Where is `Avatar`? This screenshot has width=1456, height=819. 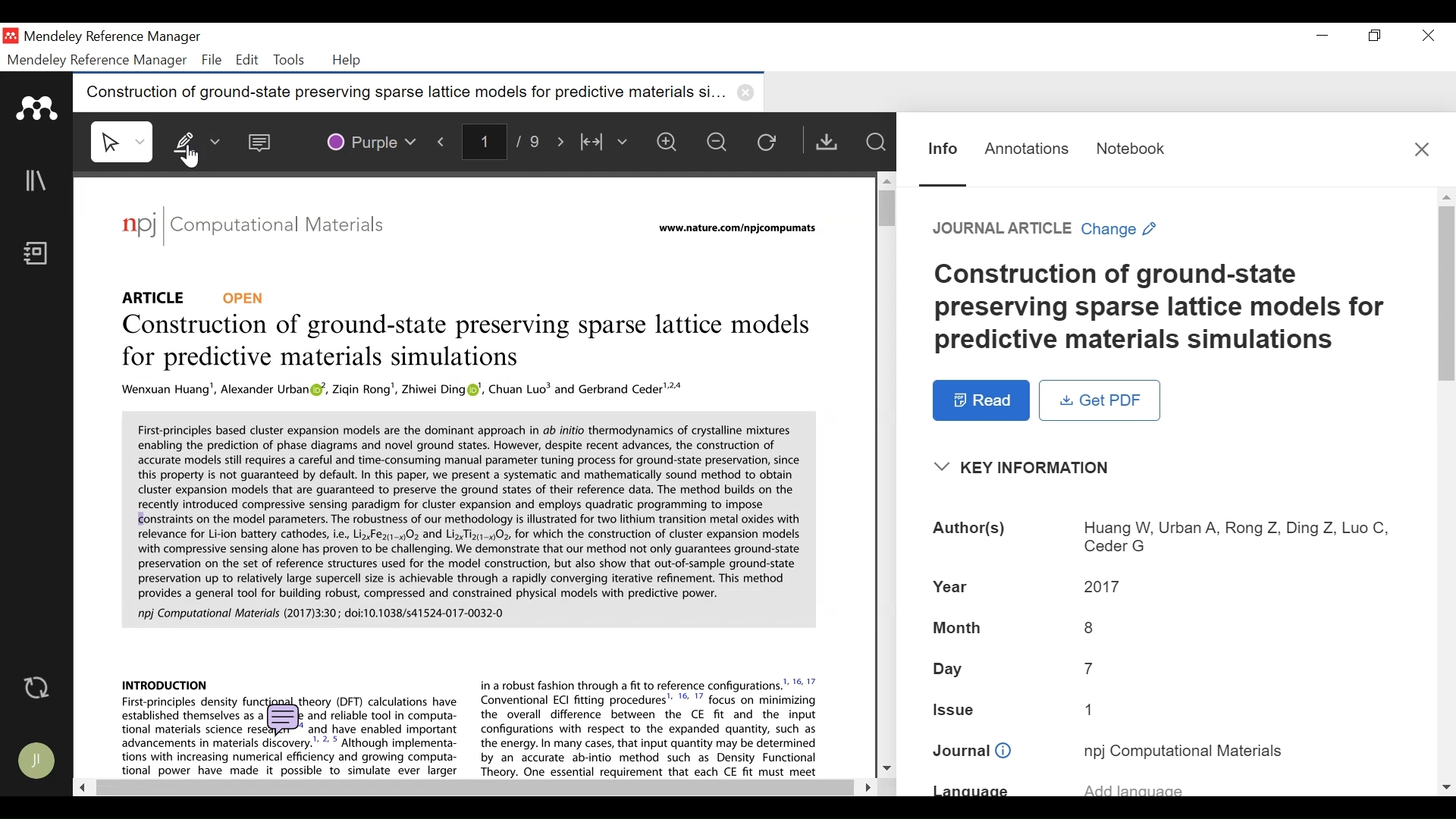 Avatar is located at coordinates (38, 761).